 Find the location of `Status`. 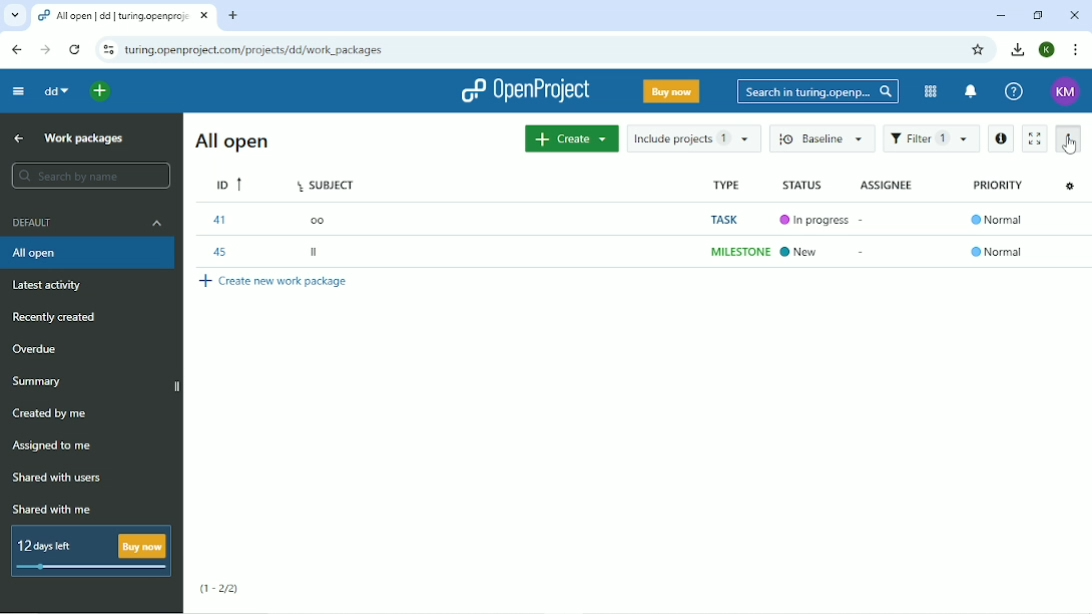

Status is located at coordinates (802, 186).